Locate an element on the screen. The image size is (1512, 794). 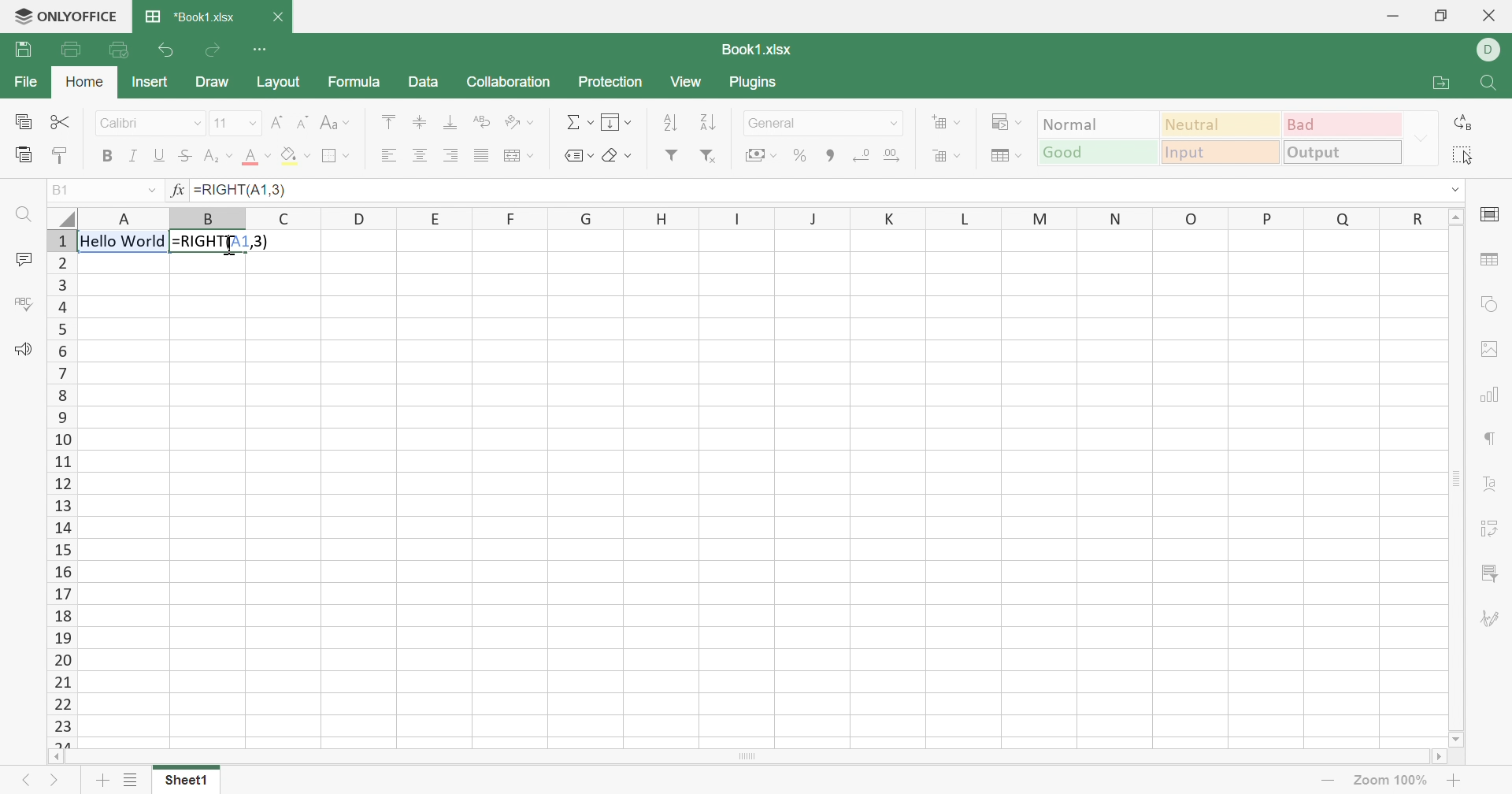
=RIGHT(A1,3) is located at coordinates (224, 240).